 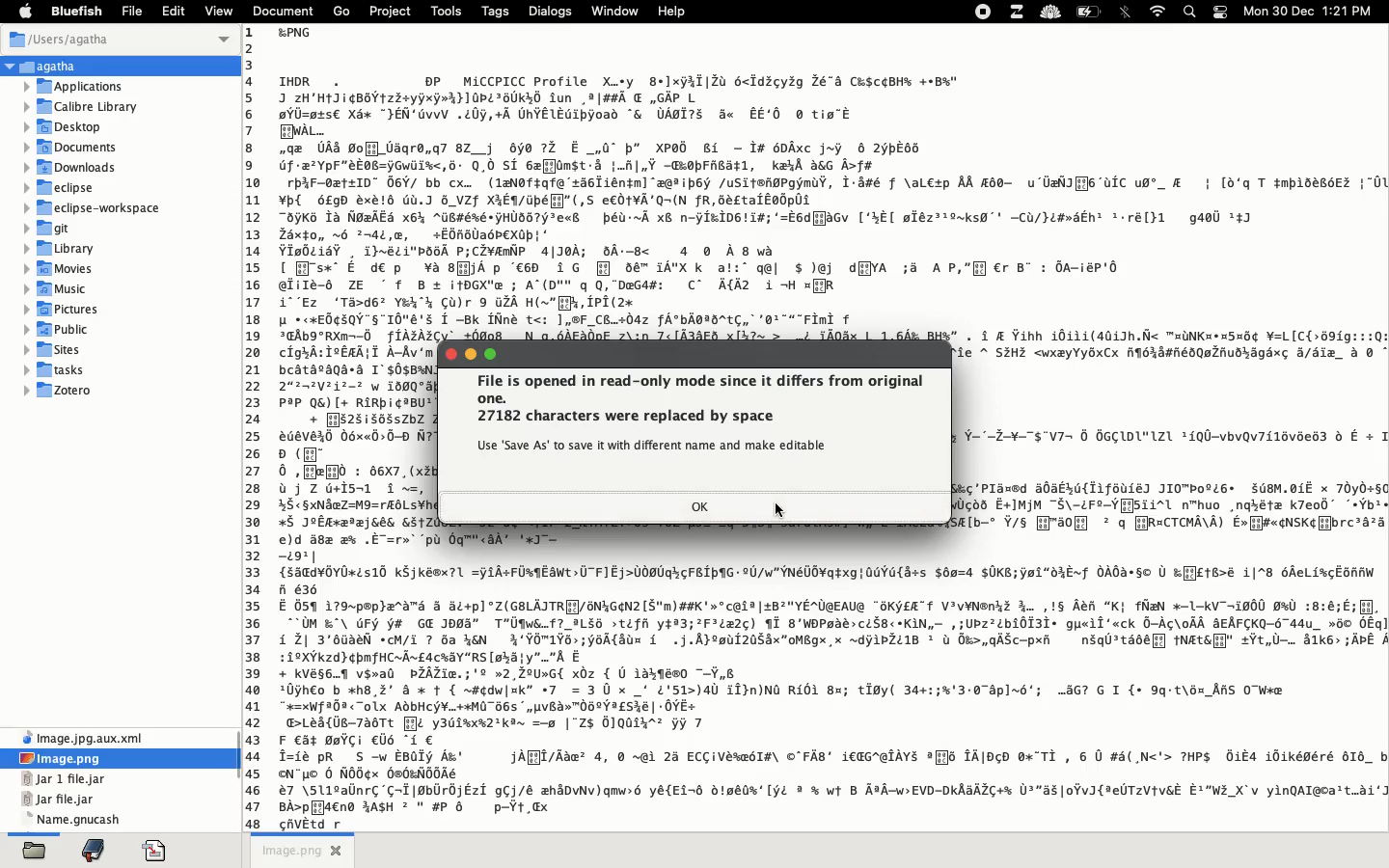 What do you see at coordinates (81, 108) in the screenshot?
I see `calibre library` at bounding box center [81, 108].